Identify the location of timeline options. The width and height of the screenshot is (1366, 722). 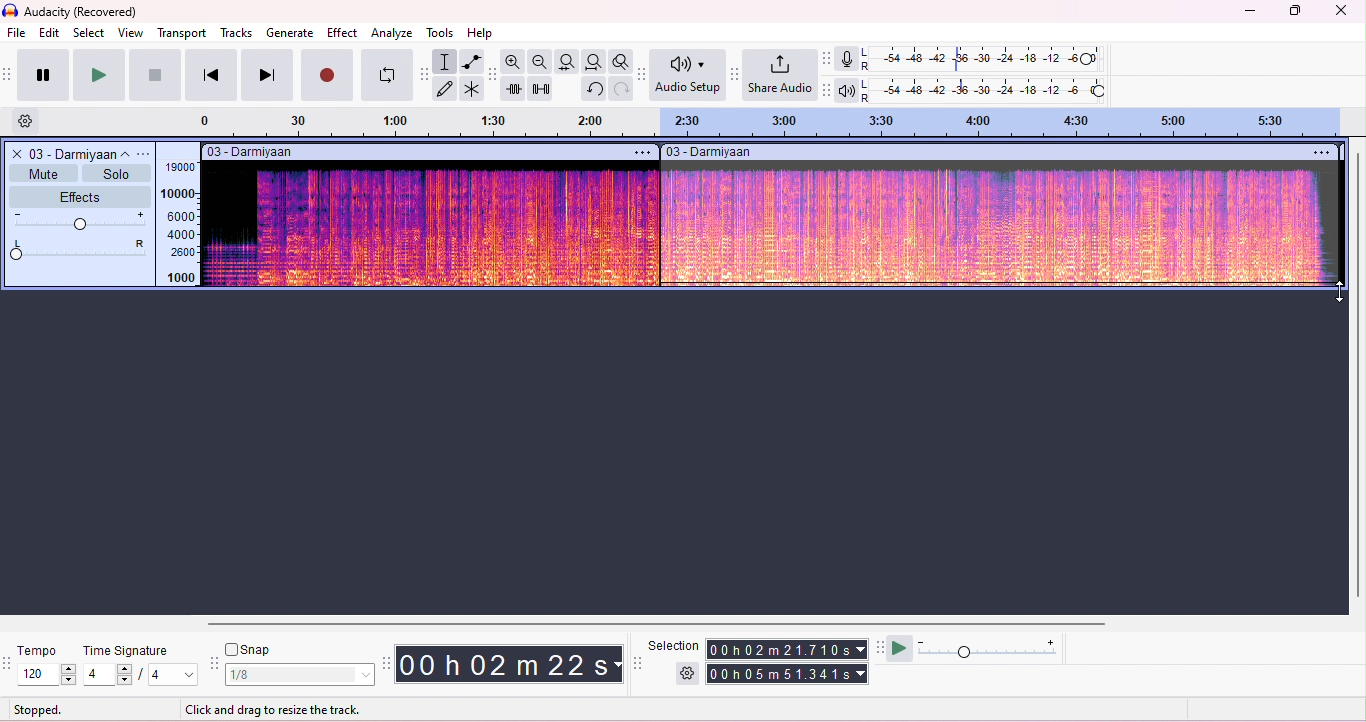
(27, 122).